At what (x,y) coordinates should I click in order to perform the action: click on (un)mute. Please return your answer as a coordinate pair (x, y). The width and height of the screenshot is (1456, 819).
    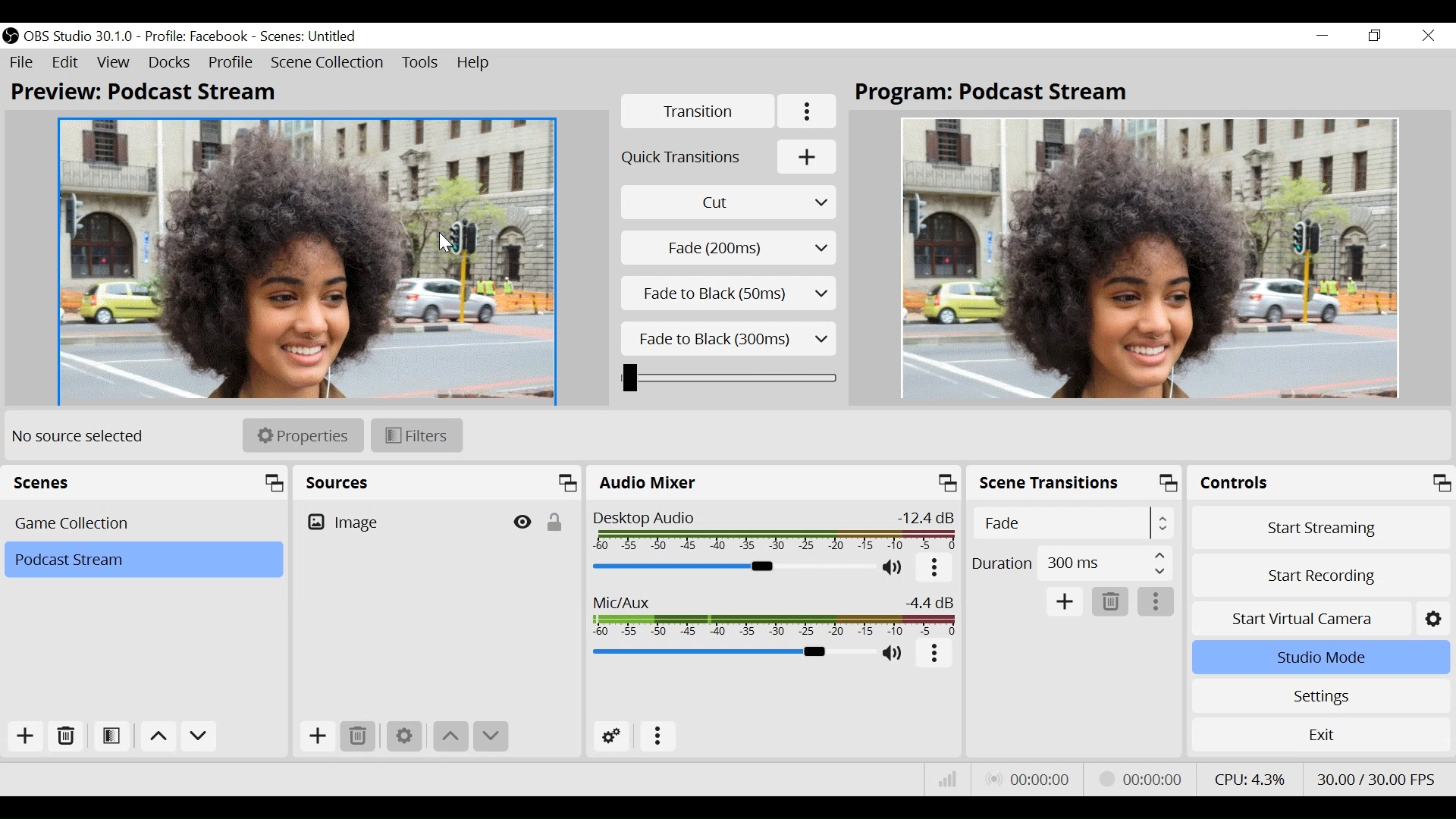
    Looking at the image, I should click on (894, 569).